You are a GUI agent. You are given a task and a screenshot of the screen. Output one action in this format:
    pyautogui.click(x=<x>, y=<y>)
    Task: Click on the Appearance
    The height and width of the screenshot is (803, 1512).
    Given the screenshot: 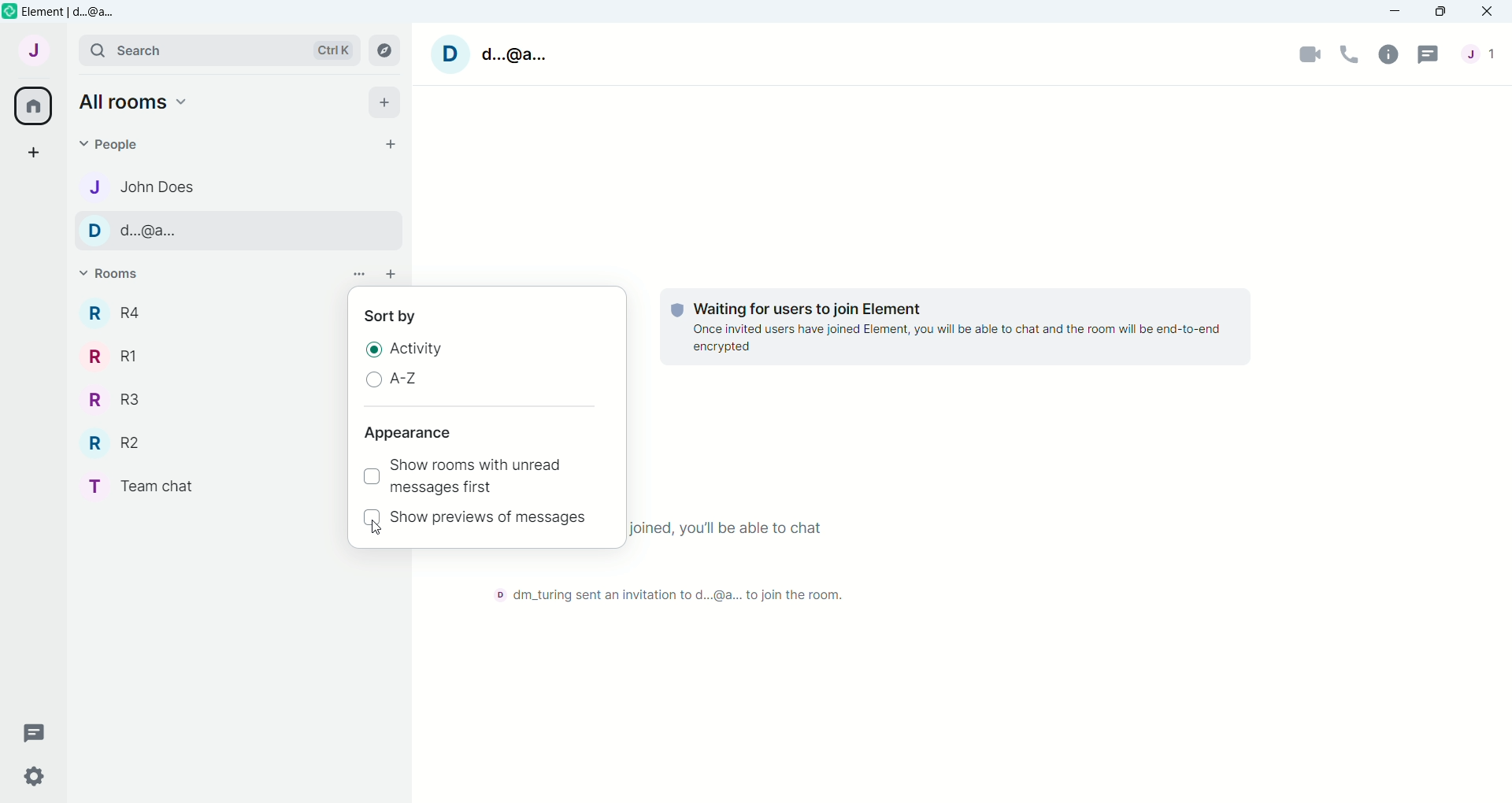 What is the action you would take?
    pyautogui.click(x=408, y=433)
    